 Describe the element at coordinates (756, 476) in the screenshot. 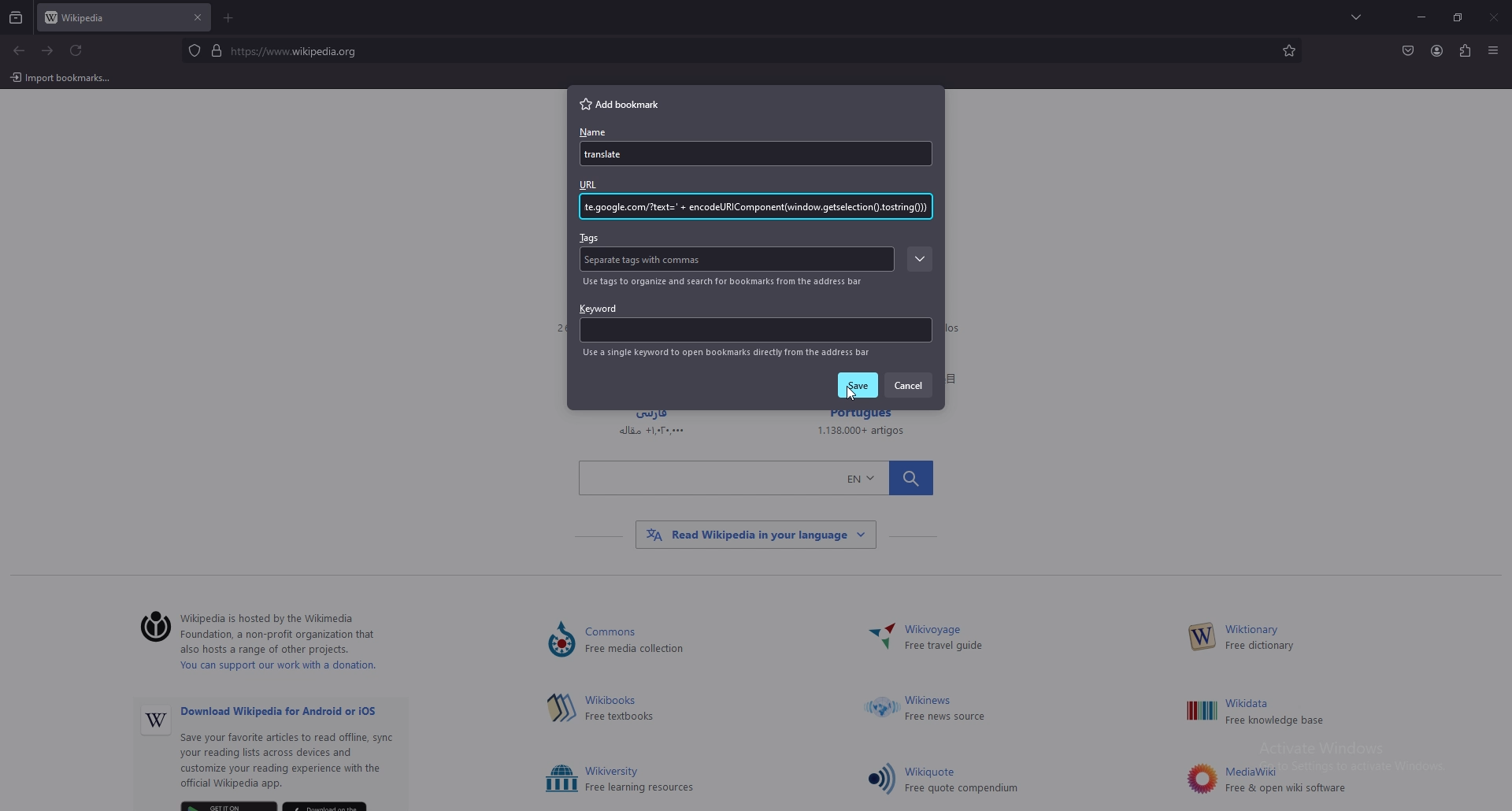

I see `` at that location.